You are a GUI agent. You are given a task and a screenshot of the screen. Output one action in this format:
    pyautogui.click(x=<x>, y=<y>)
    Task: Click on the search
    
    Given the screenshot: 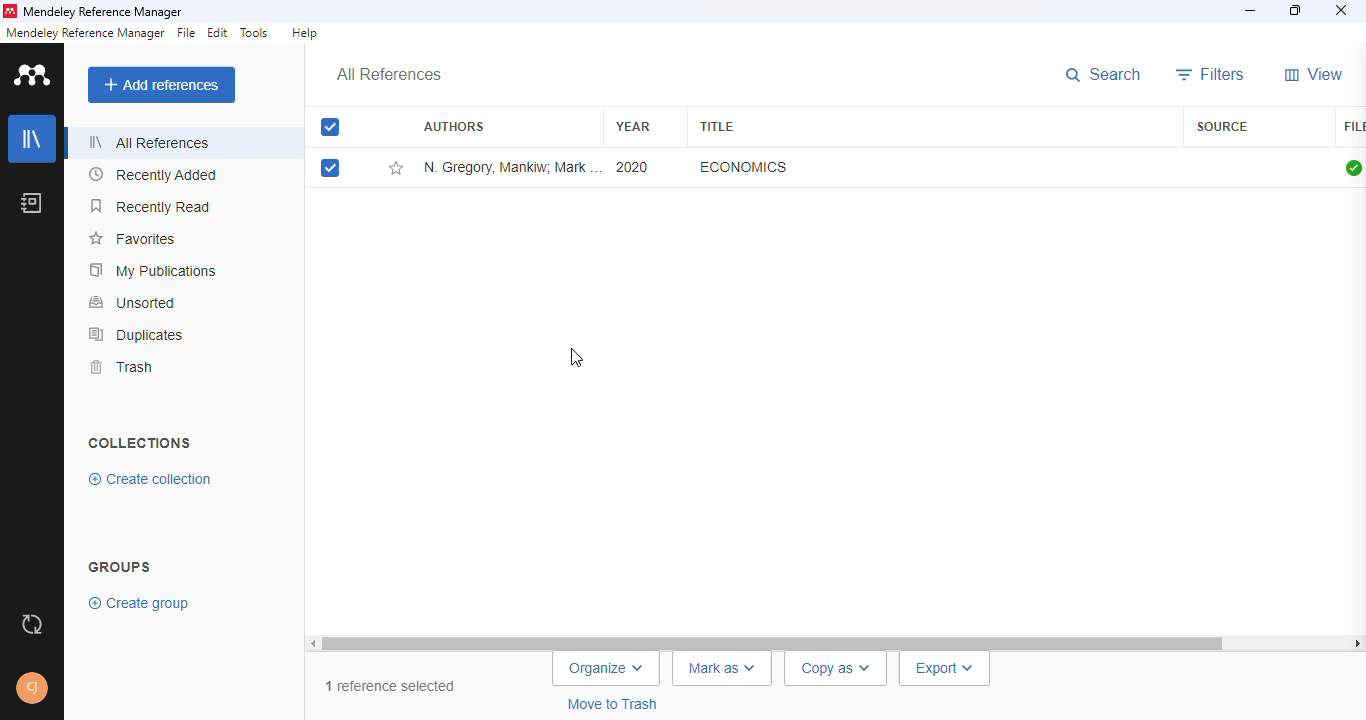 What is the action you would take?
    pyautogui.click(x=1103, y=75)
    